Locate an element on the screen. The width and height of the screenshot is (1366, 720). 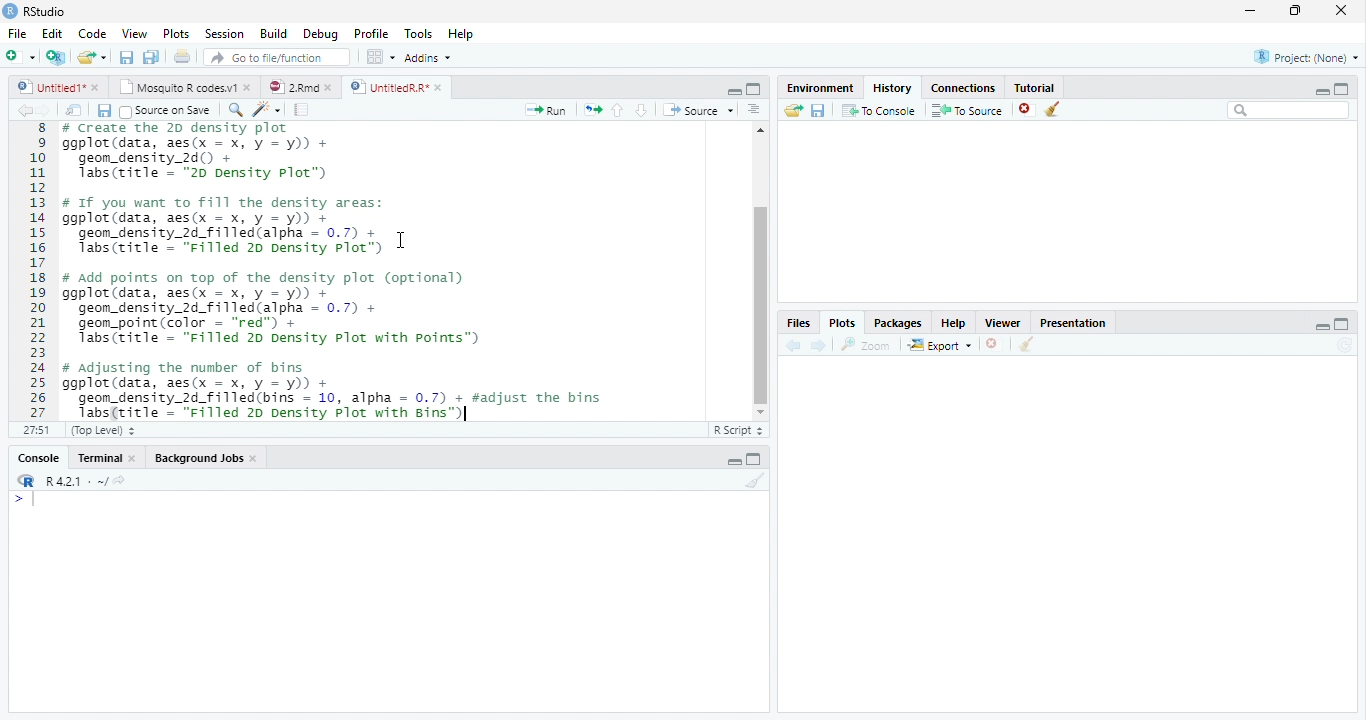
History is located at coordinates (892, 88).